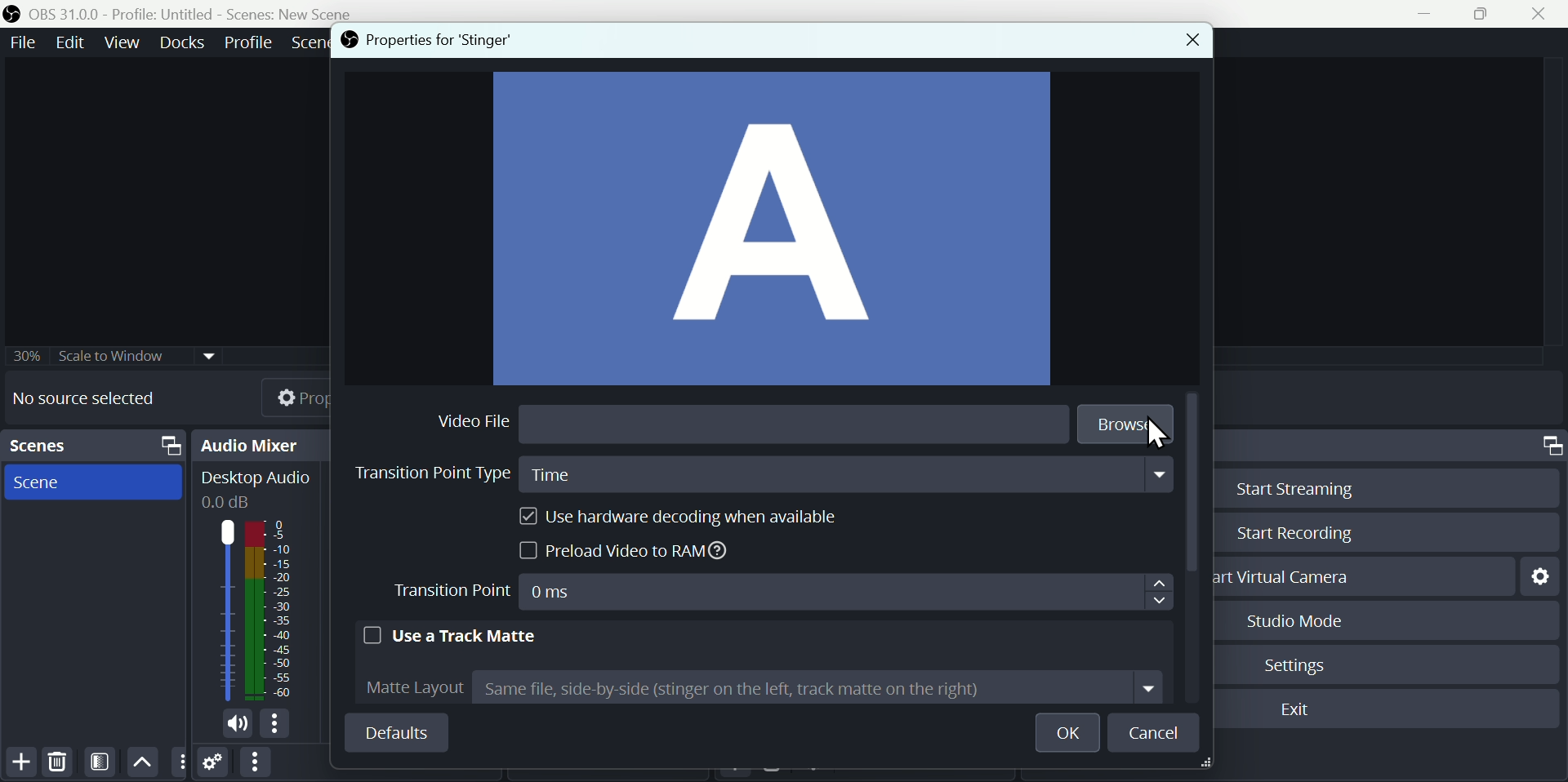 The height and width of the screenshot is (782, 1568). I want to click on , so click(250, 40).